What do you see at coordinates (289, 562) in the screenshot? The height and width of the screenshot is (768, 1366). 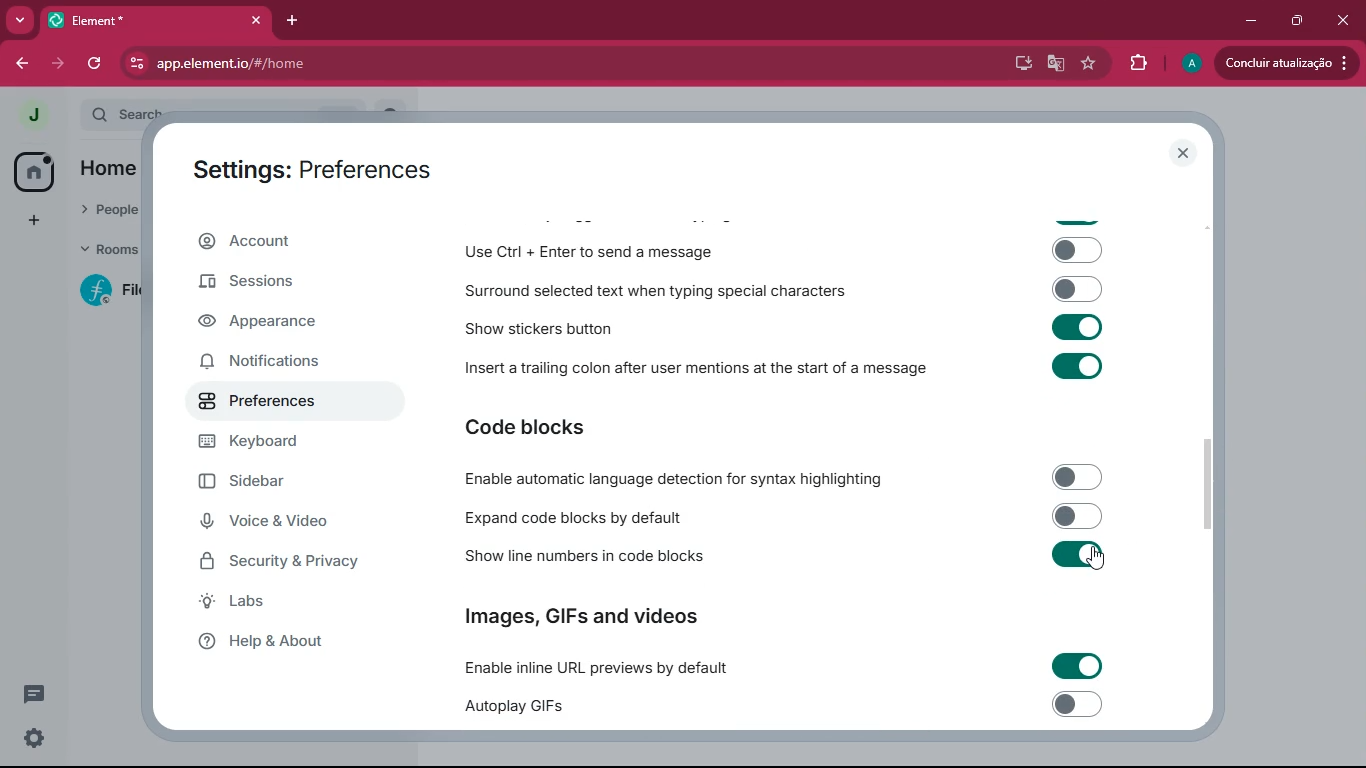 I see `security & Privacy` at bounding box center [289, 562].